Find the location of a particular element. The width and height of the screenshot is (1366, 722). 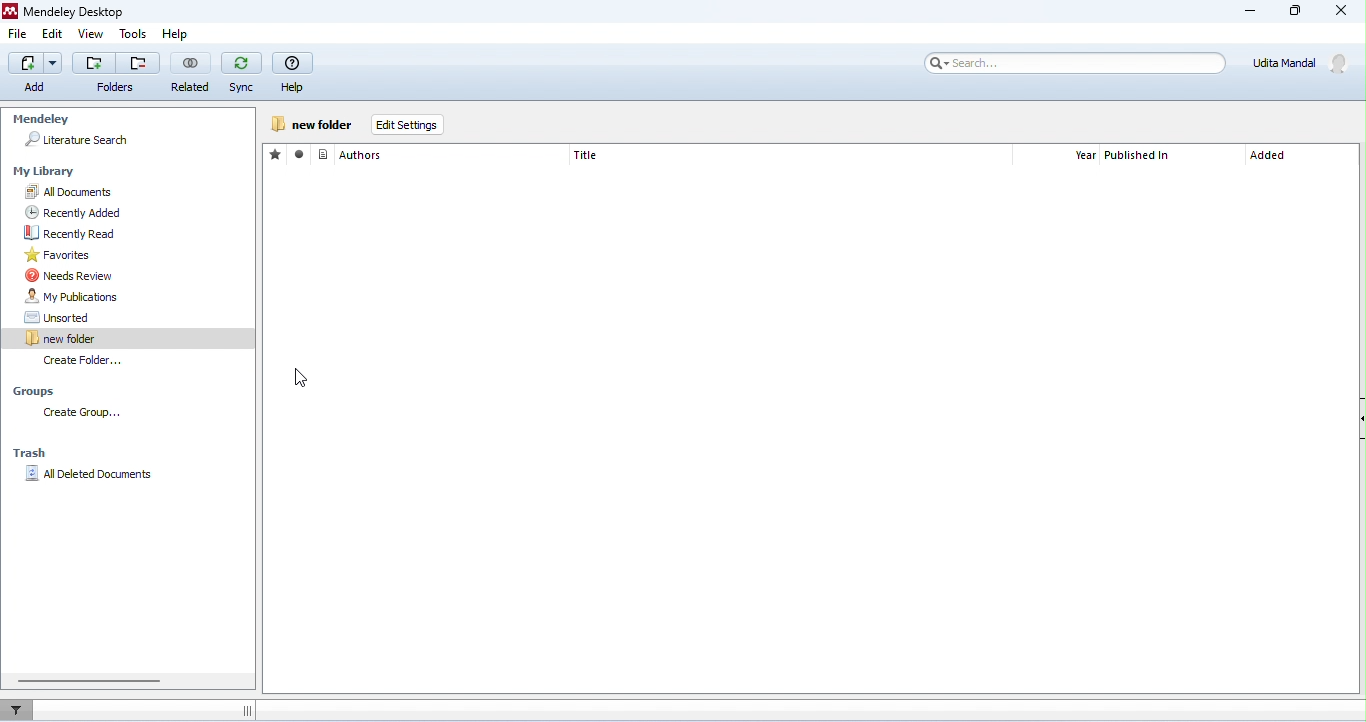

published in is located at coordinates (1140, 156).